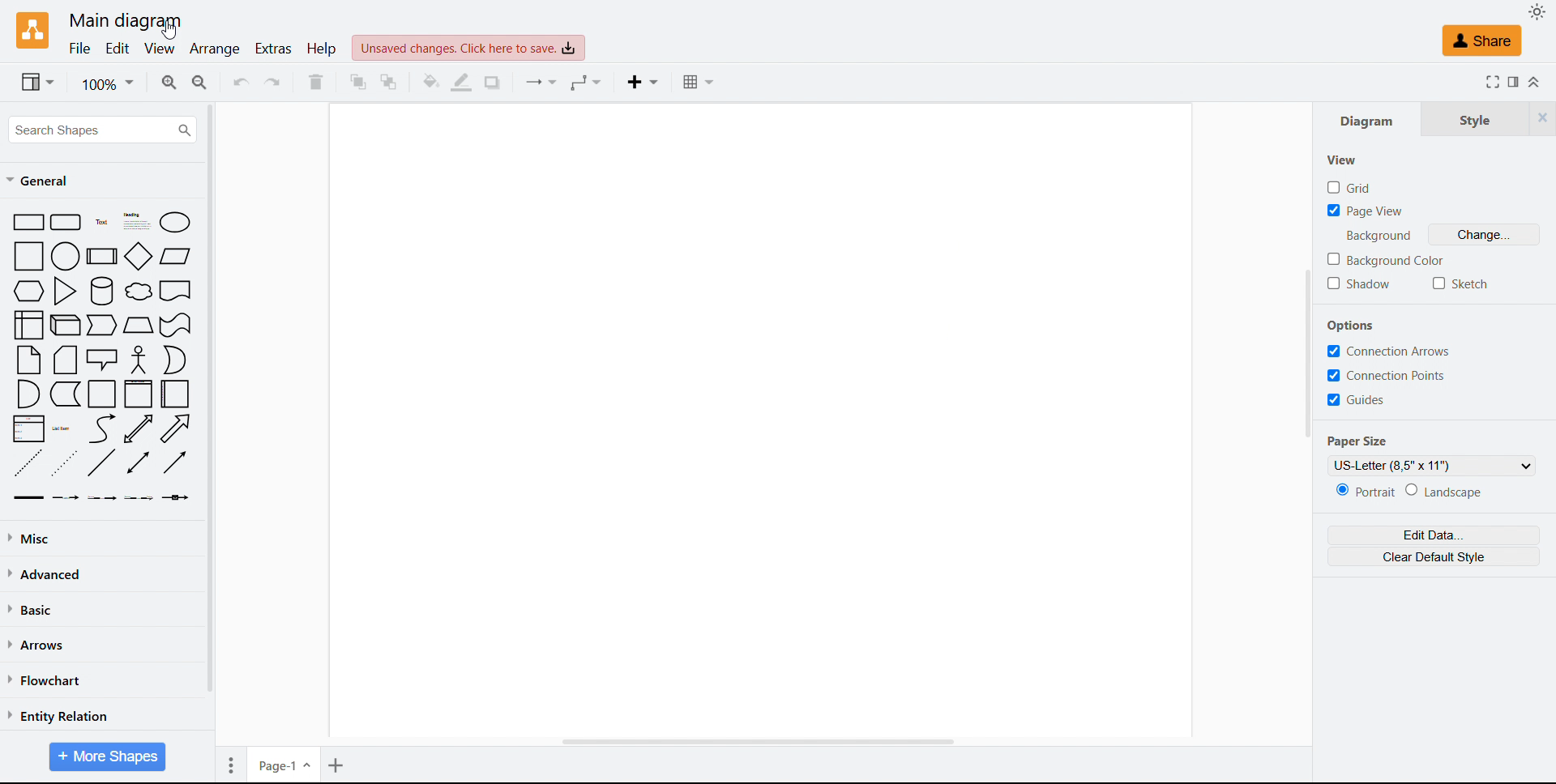  What do you see at coordinates (1390, 377) in the screenshot?
I see `connection points ` at bounding box center [1390, 377].